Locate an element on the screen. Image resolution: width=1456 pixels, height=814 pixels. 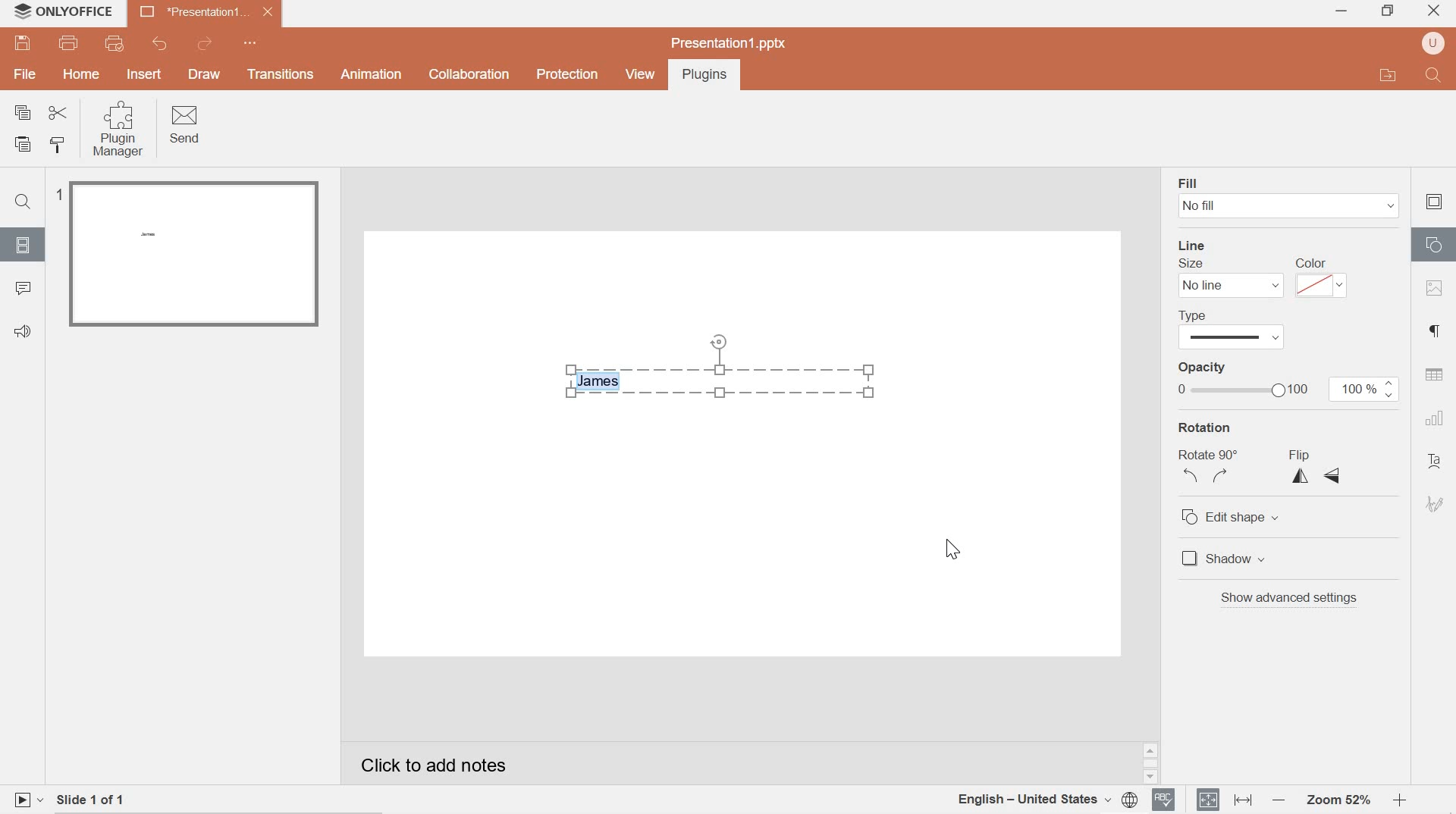
flip is located at coordinates (1316, 467).